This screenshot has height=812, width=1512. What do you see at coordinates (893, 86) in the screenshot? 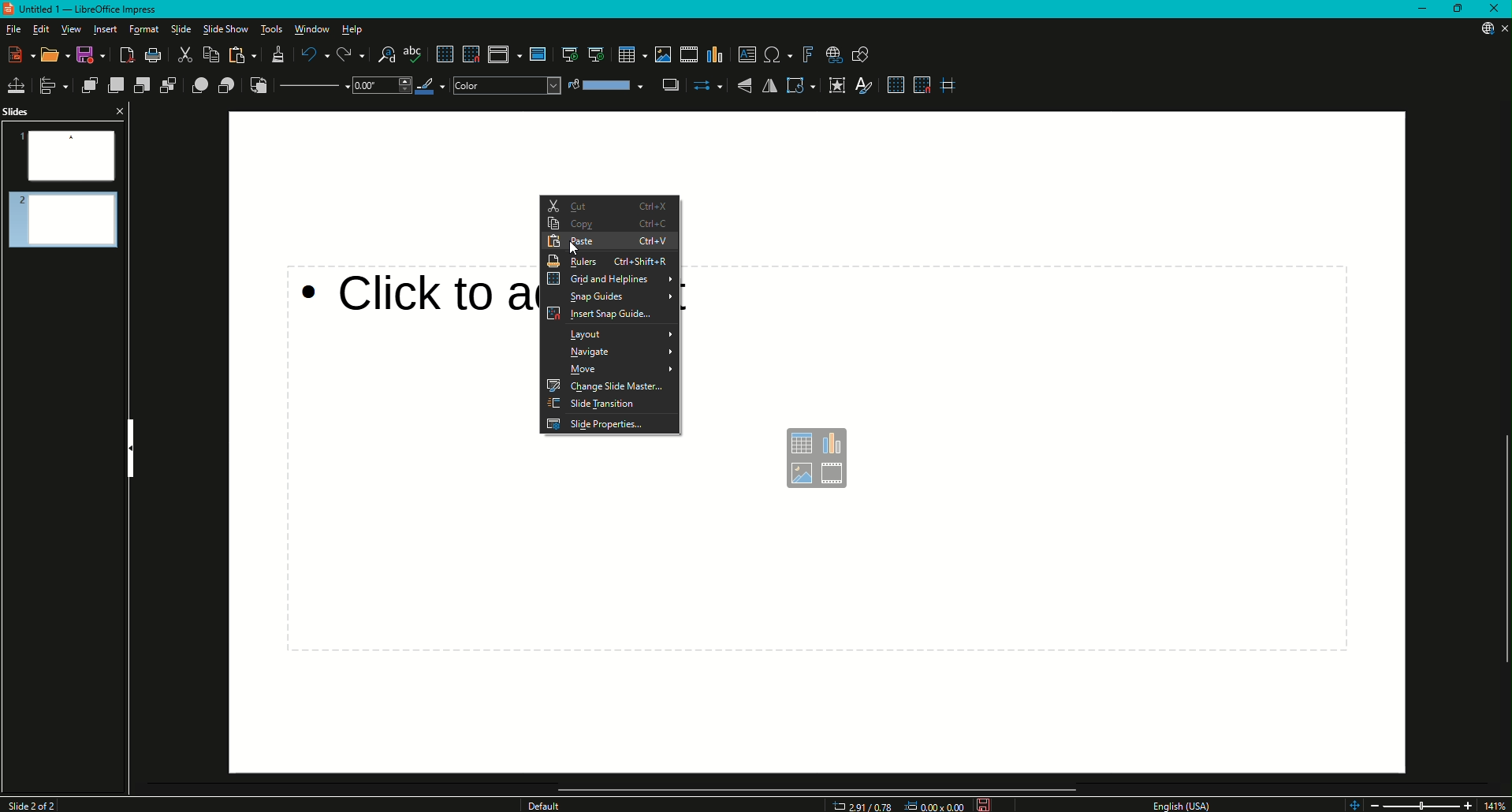
I see `Display Grid` at bounding box center [893, 86].